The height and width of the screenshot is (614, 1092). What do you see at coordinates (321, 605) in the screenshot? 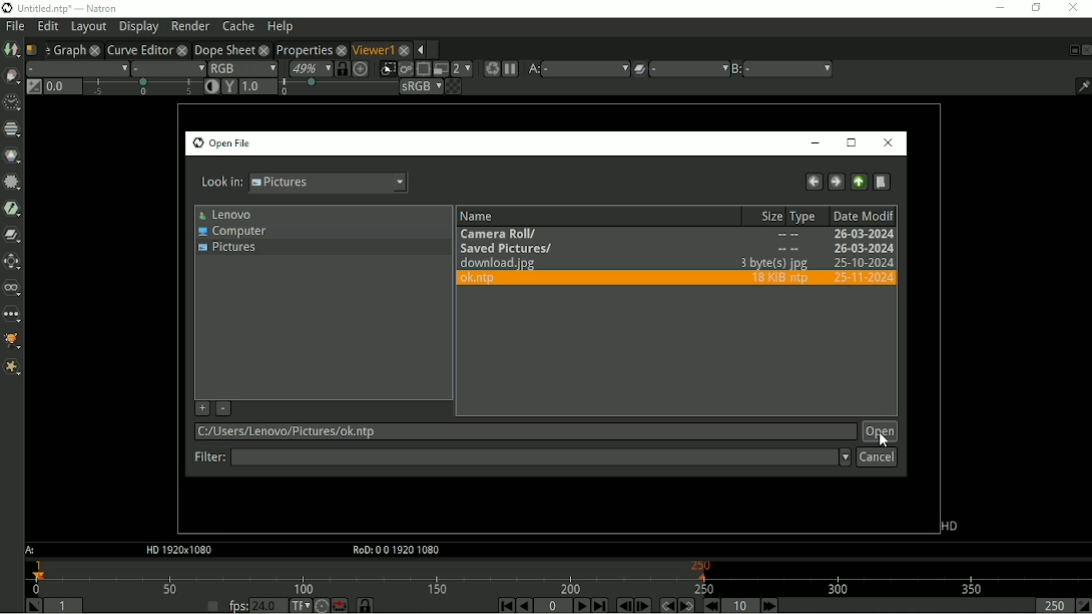
I see `Turbo mode` at bounding box center [321, 605].